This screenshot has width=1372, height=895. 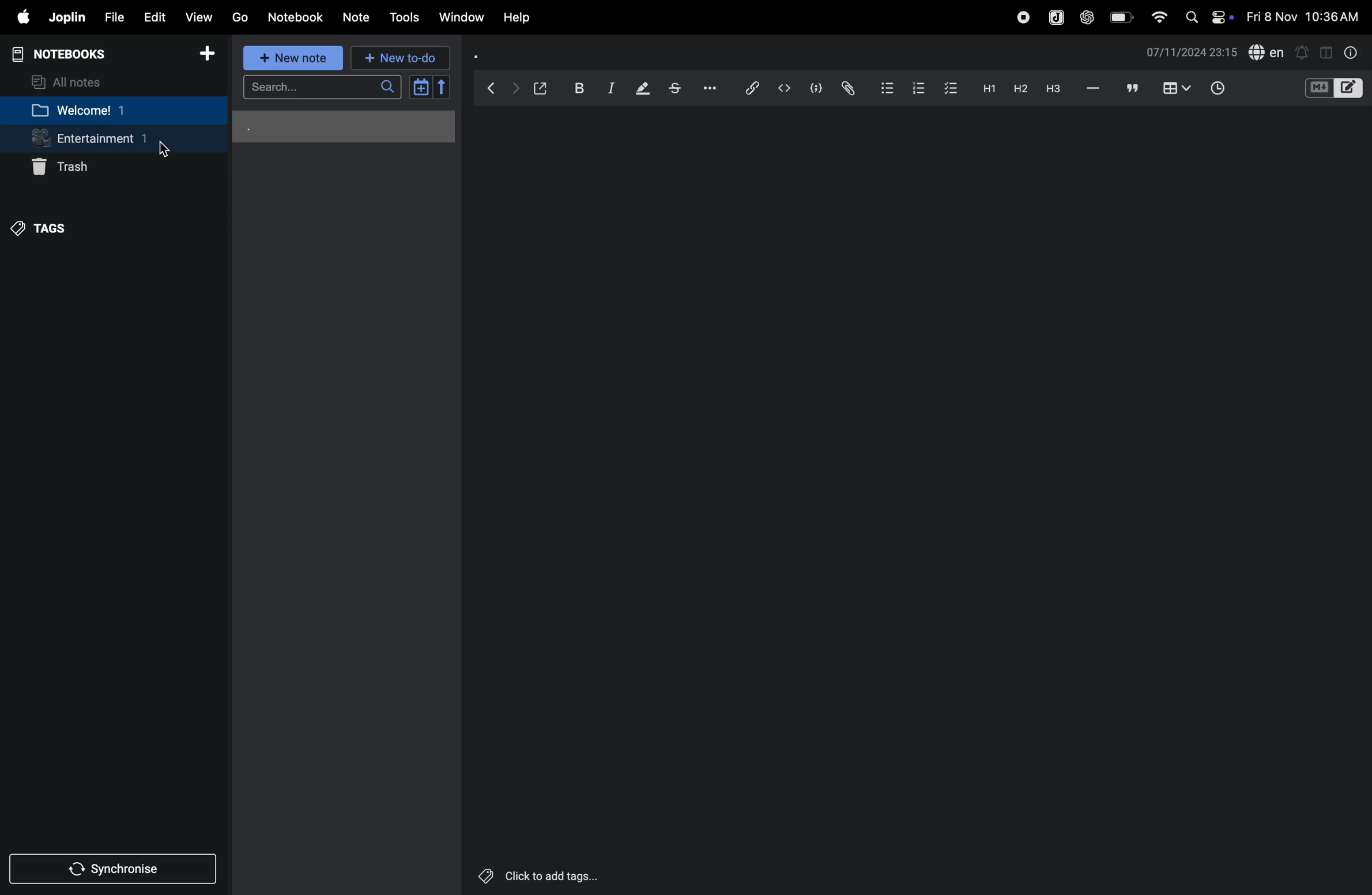 What do you see at coordinates (882, 88) in the screenshot?
I see `bullet list` at bounding box center [882, 88].